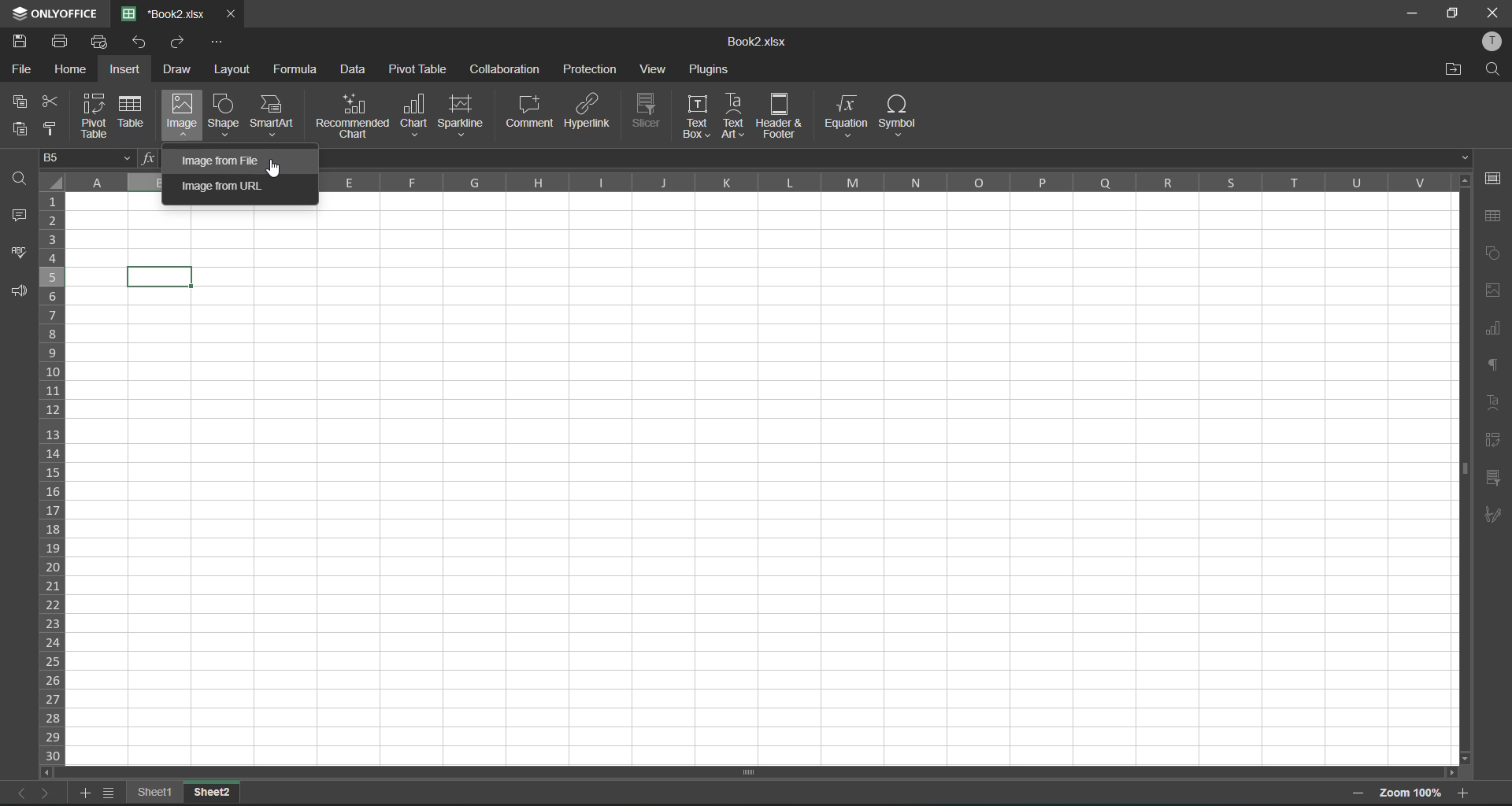 This screenshot has height=806, width=1512. Describe the element at coordinates (505, 68) in the screenshot. I see `collaboration` at that location.